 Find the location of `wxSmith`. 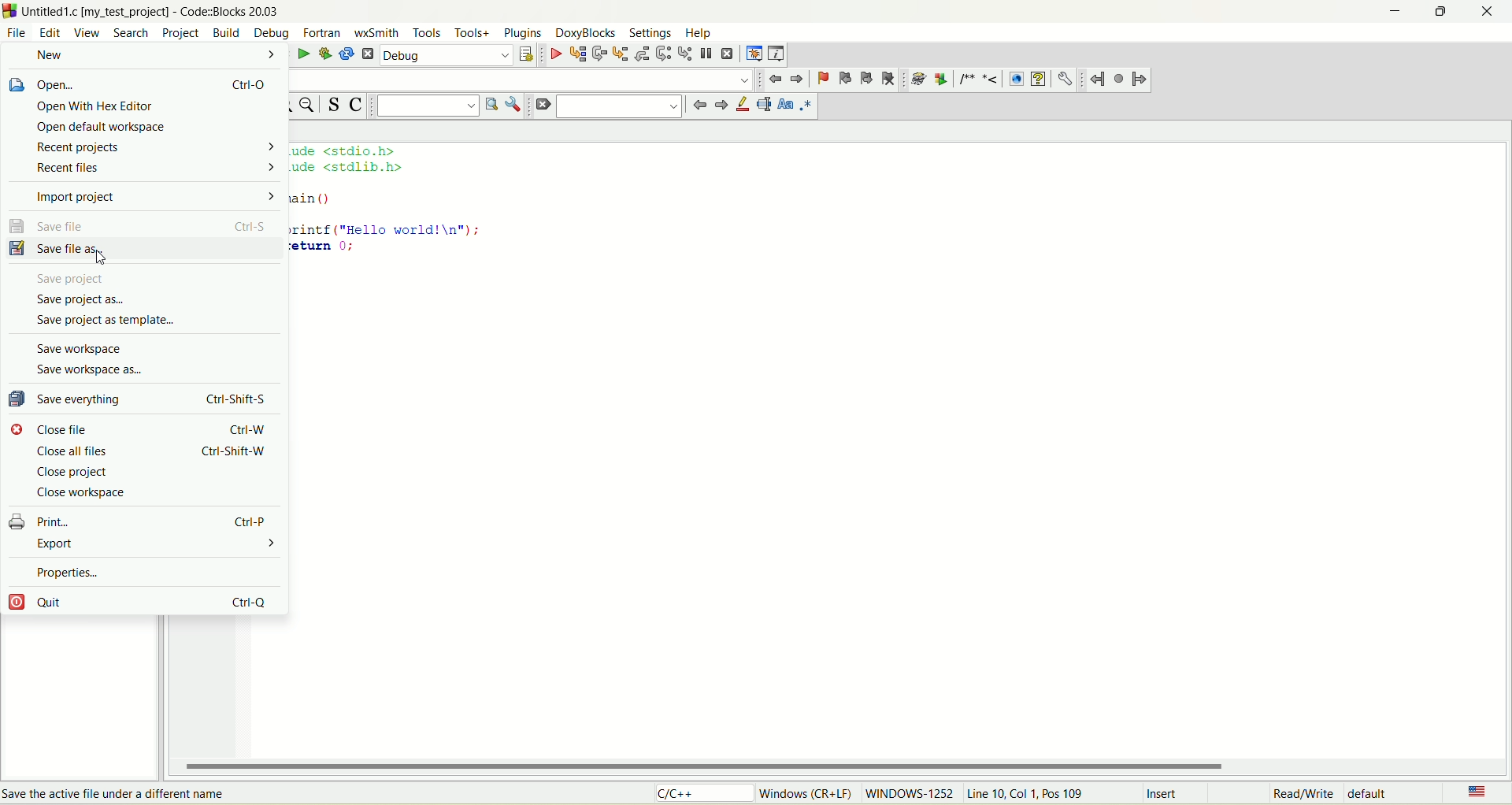

wxSmith is located at coordinates (379, 35).